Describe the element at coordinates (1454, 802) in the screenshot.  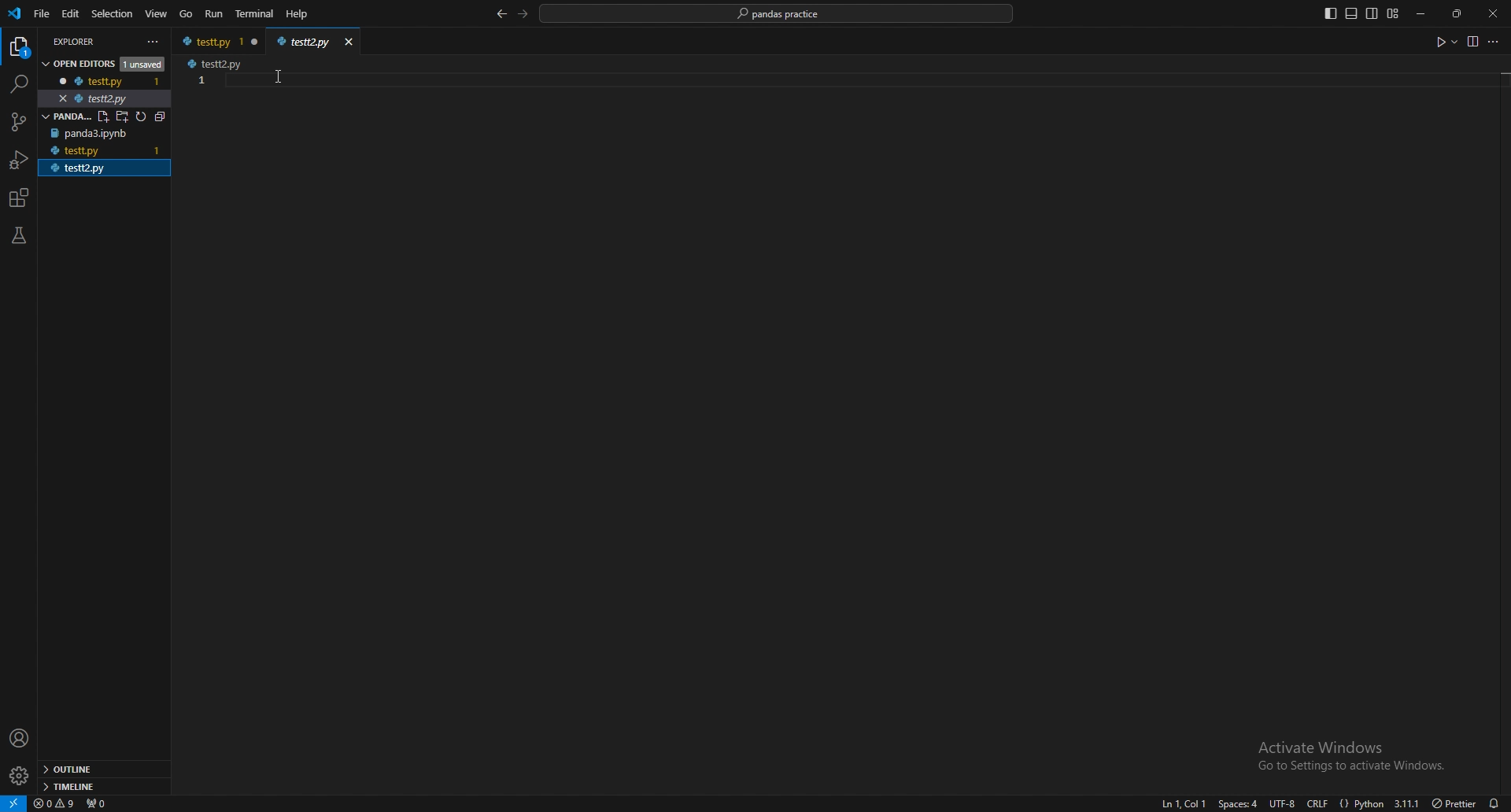
I see `) Prettier` at that location.